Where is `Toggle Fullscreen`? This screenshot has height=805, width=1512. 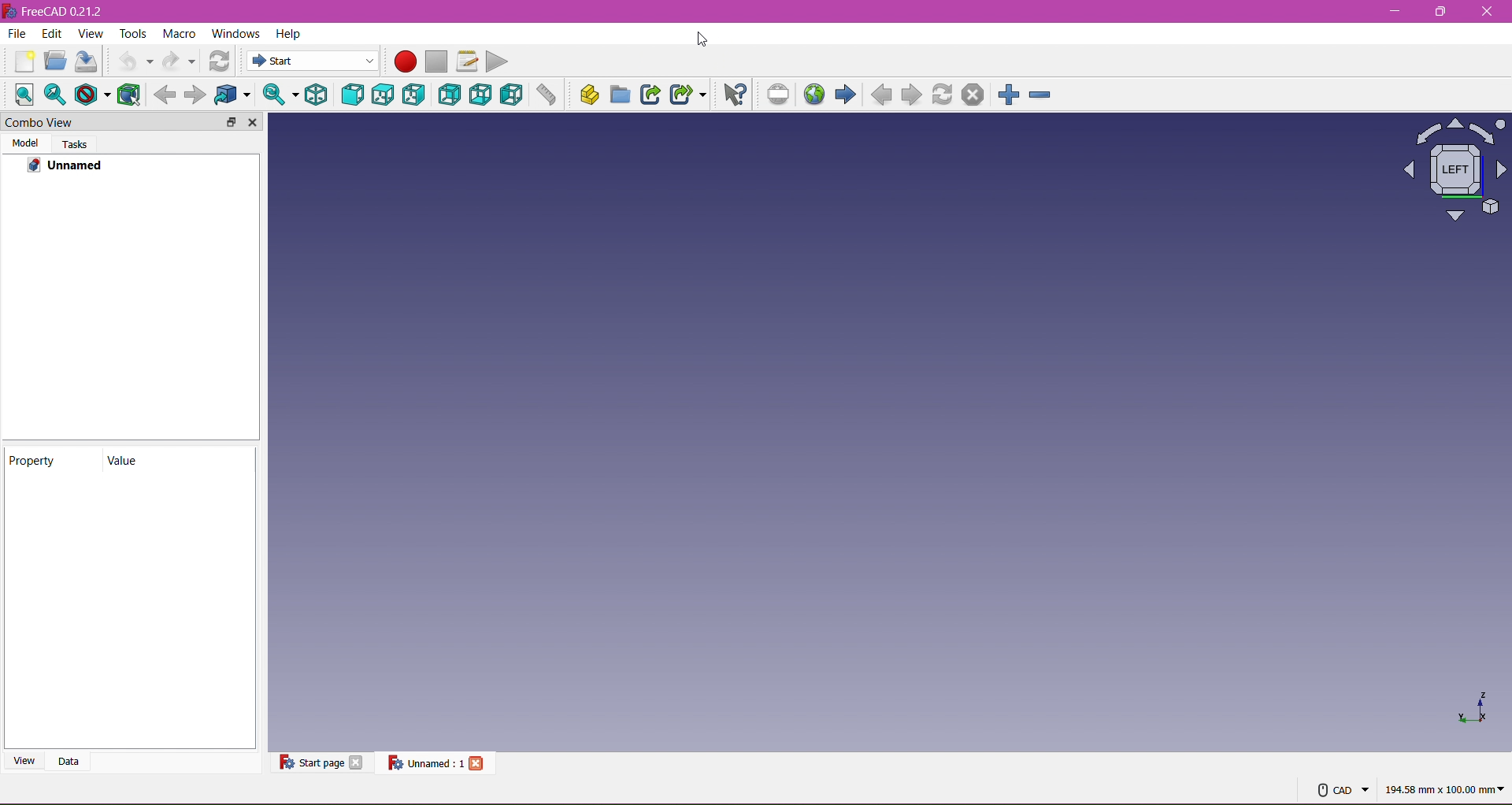
Toggle Fullscreen is located at coordinates (778, 94).